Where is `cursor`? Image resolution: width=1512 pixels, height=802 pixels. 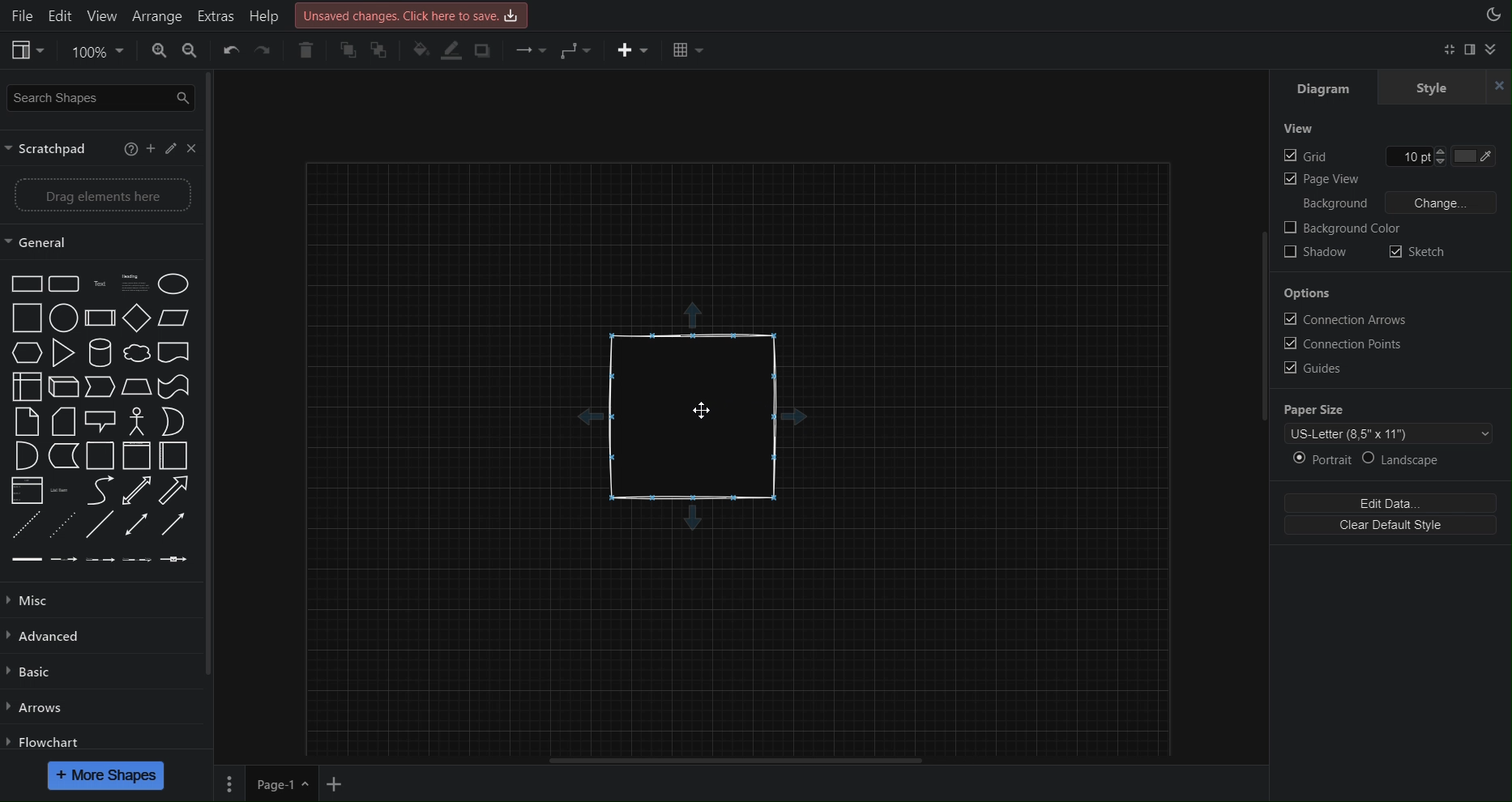
cursor is located at coordinates (708, 413).